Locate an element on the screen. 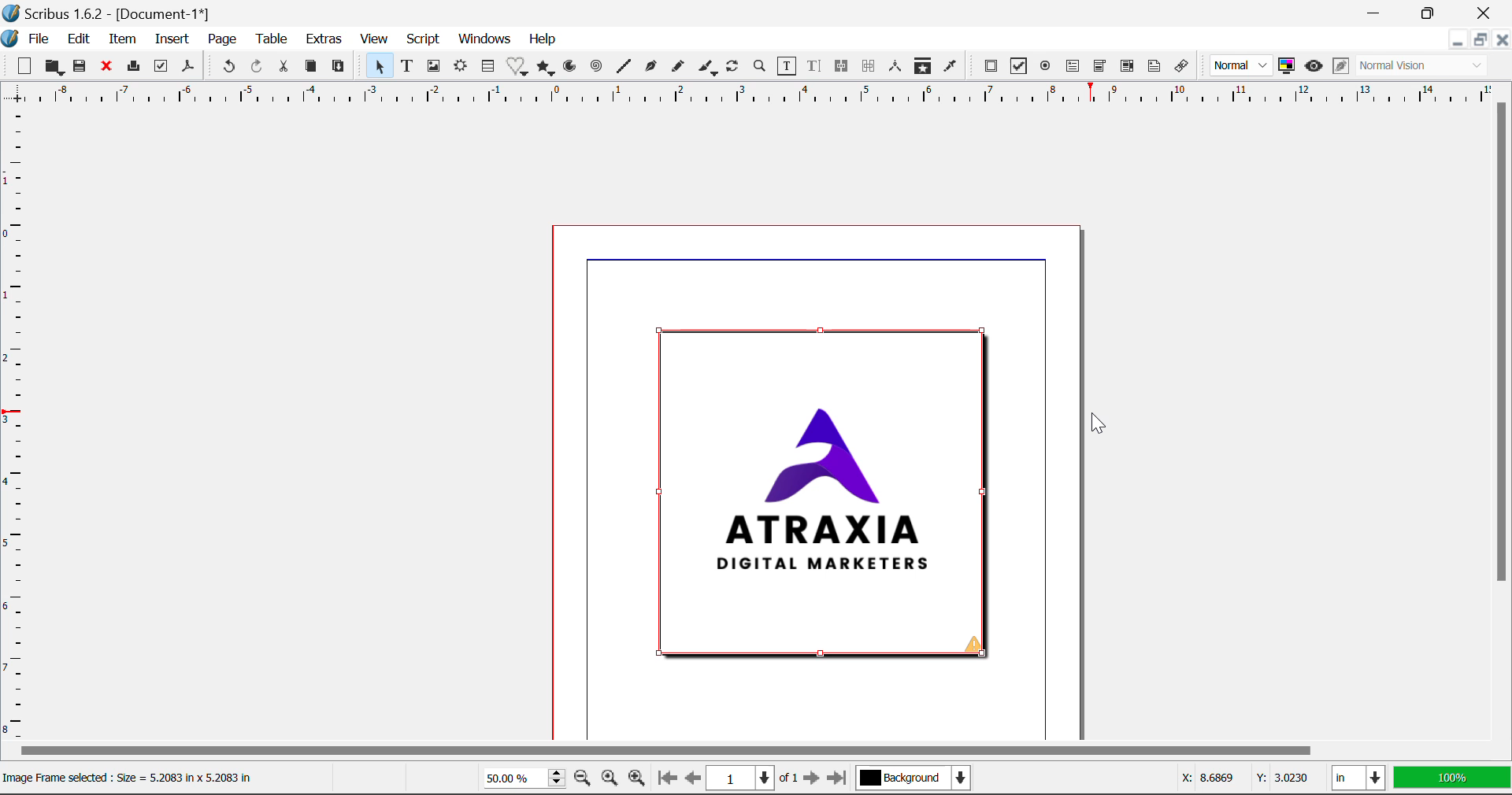 This screenshot has width=1512, height=795. Help is located at coordinates (544, 40).